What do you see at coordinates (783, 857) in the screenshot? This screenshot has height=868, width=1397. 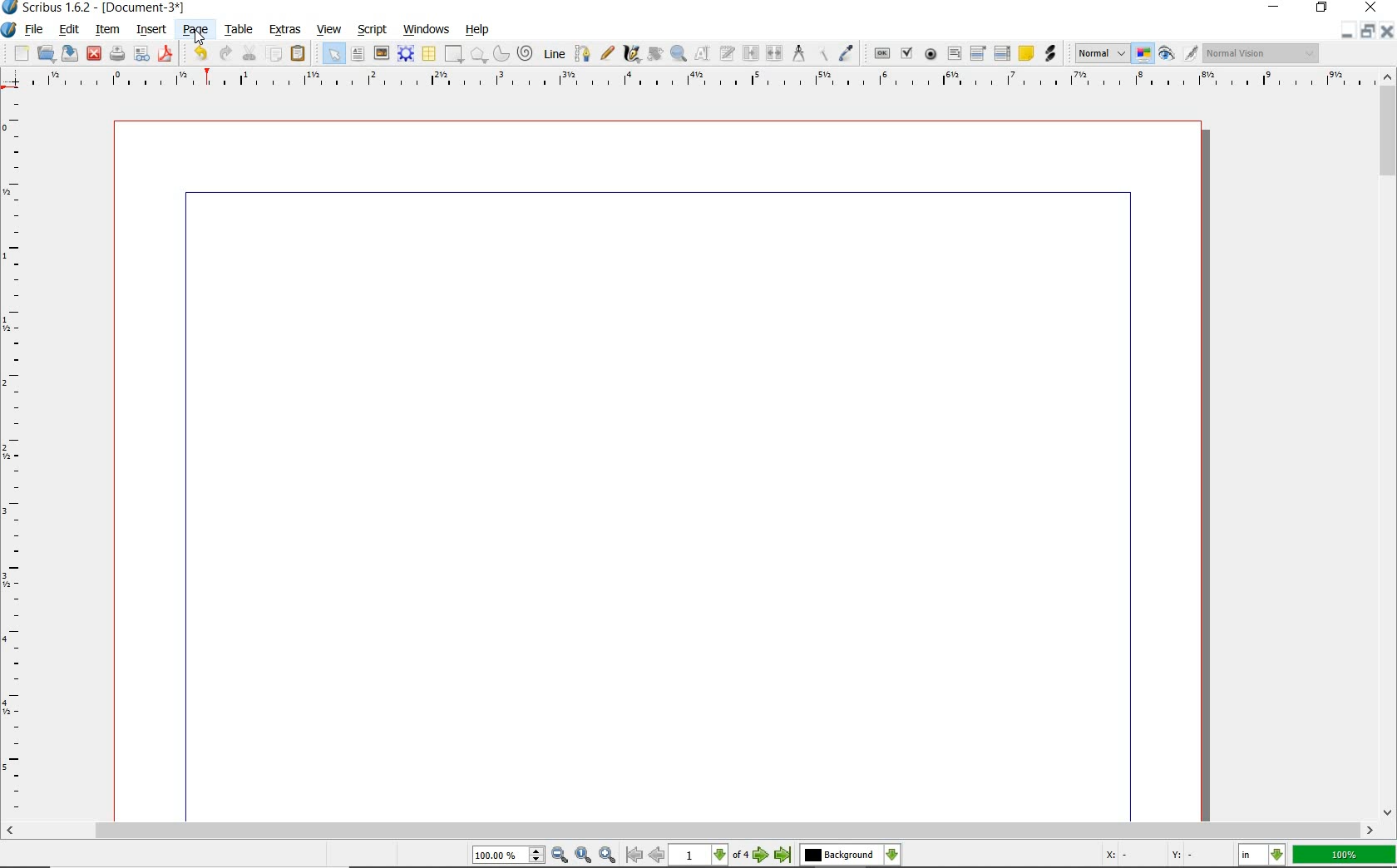 I see `Last Page` at bounding box center [783, 857].